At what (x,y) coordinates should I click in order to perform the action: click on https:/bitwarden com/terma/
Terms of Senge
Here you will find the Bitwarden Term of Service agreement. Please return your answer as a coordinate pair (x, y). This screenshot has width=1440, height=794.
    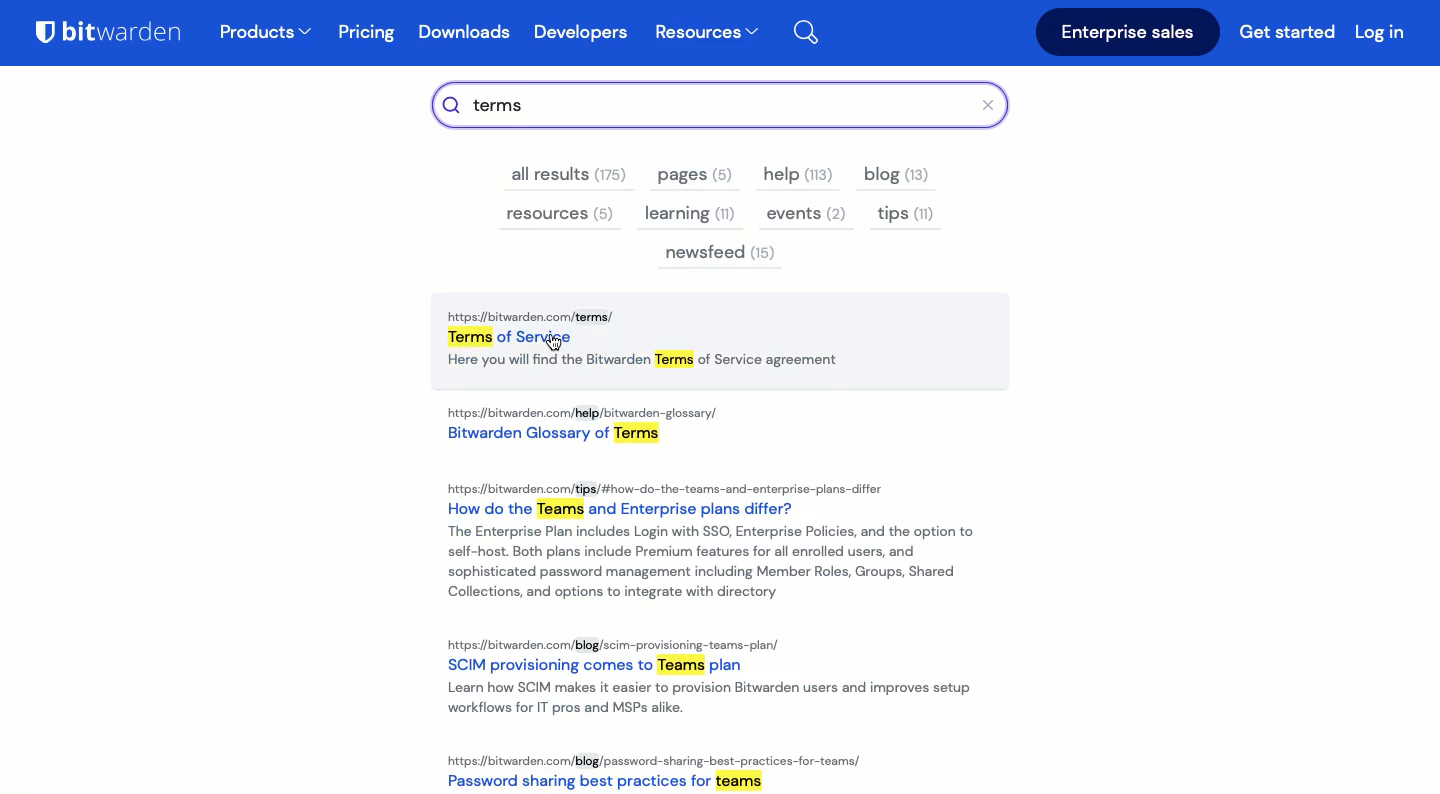
    Looking at the image, I should click on (725, 343).